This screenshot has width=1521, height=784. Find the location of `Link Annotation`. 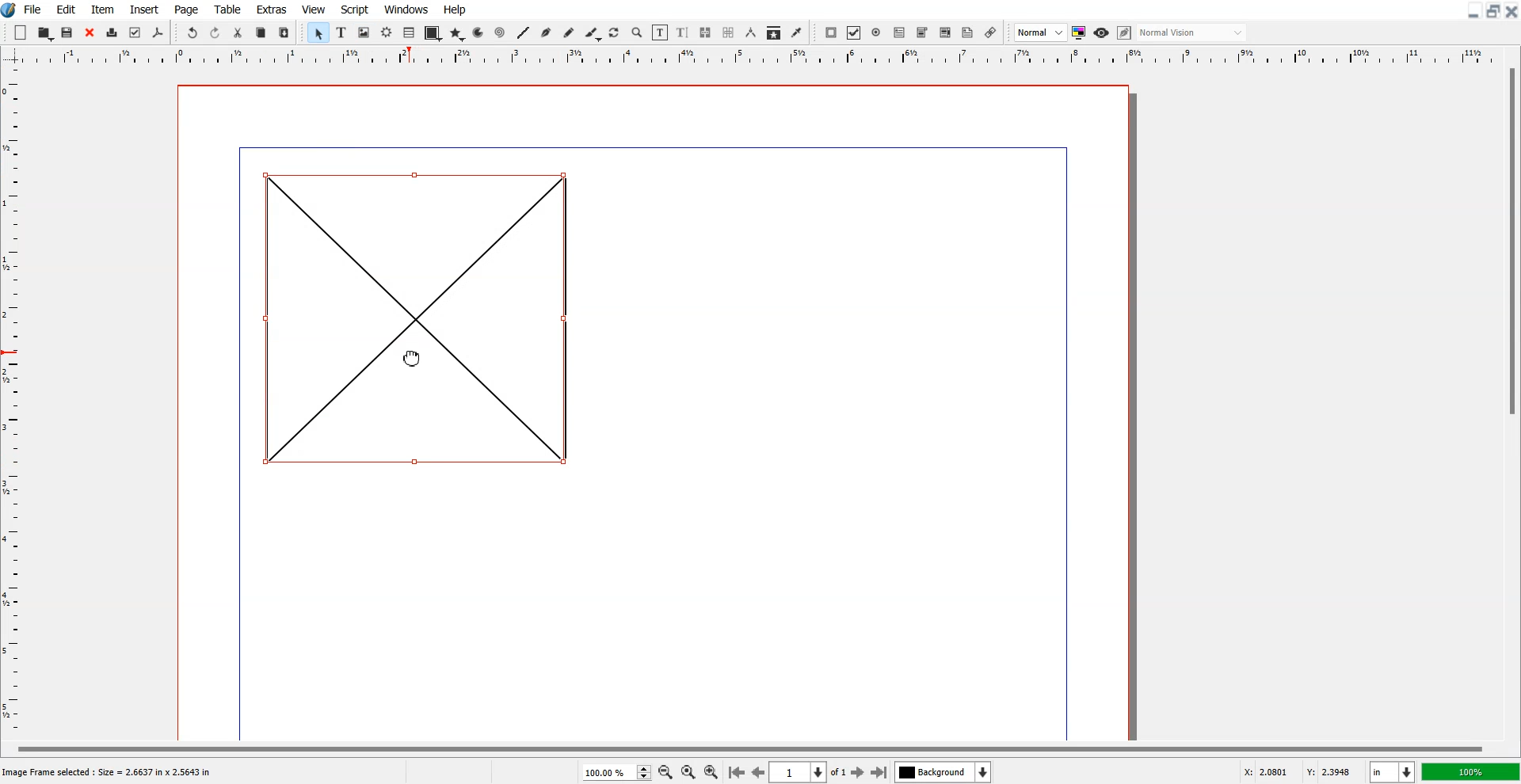

Link Annotation is located at coordinates (991, 32).